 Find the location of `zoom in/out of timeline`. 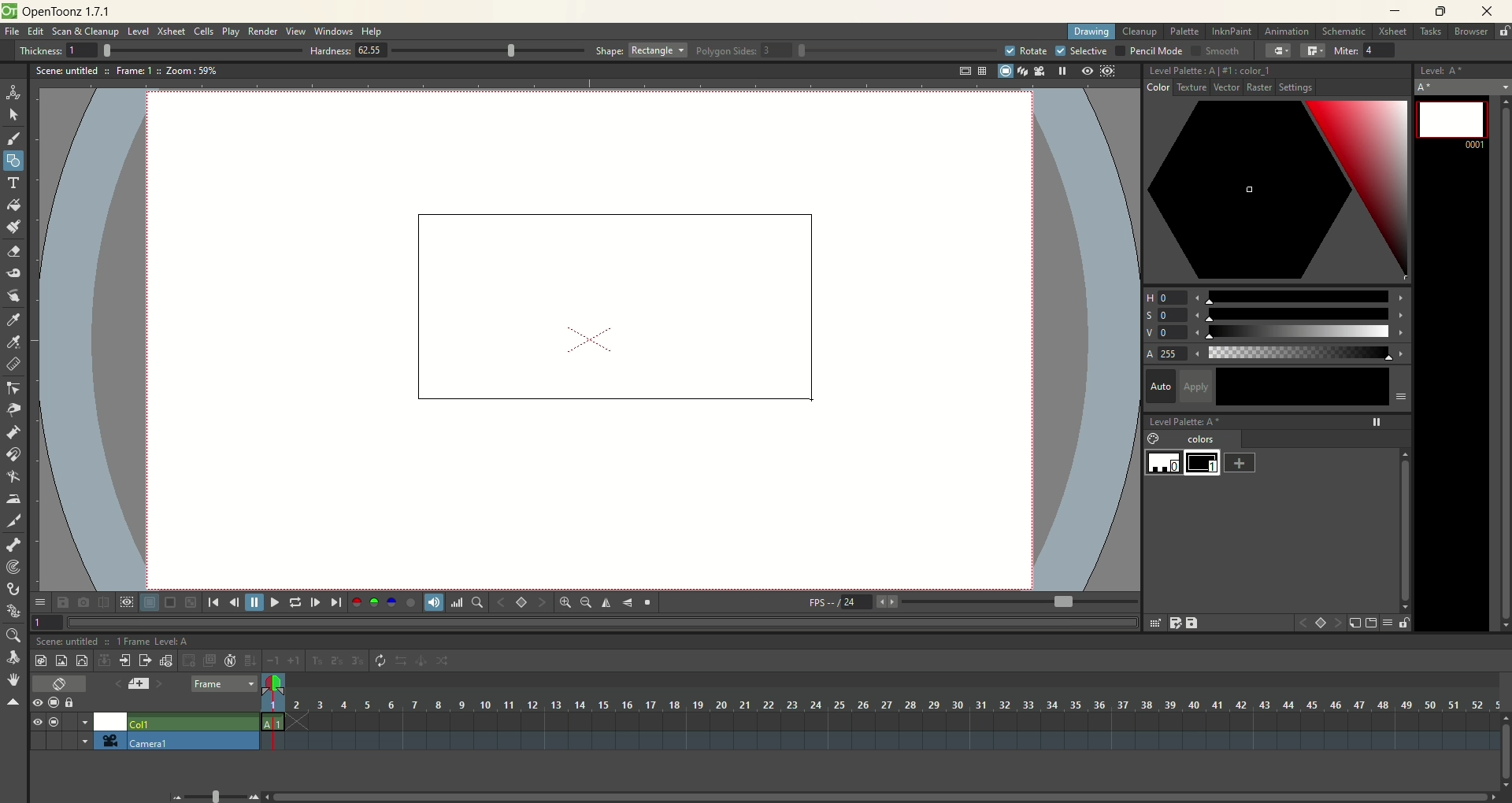

zoom in/out of timeline is located at coordinates (215, 795).